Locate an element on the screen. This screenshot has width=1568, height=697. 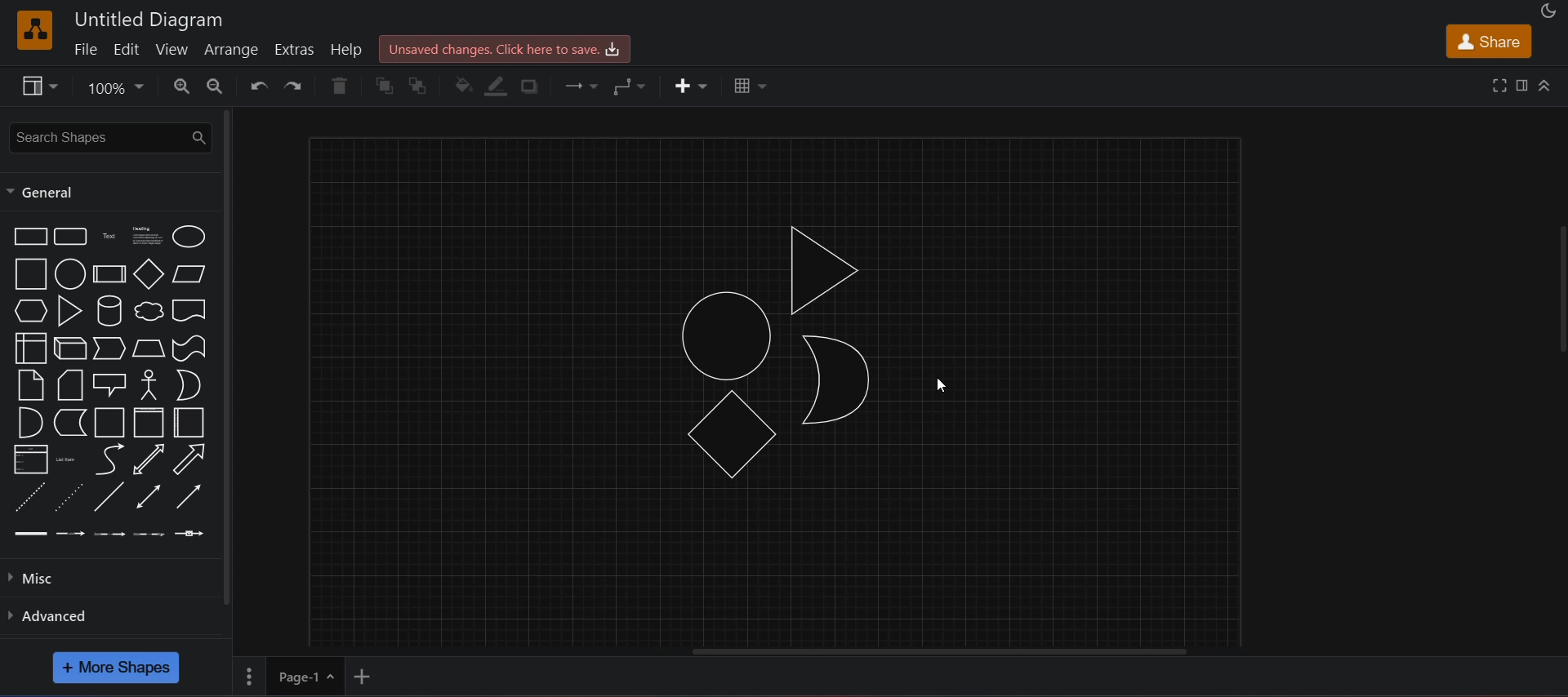
vertical container is located at coordinates (146, 424).